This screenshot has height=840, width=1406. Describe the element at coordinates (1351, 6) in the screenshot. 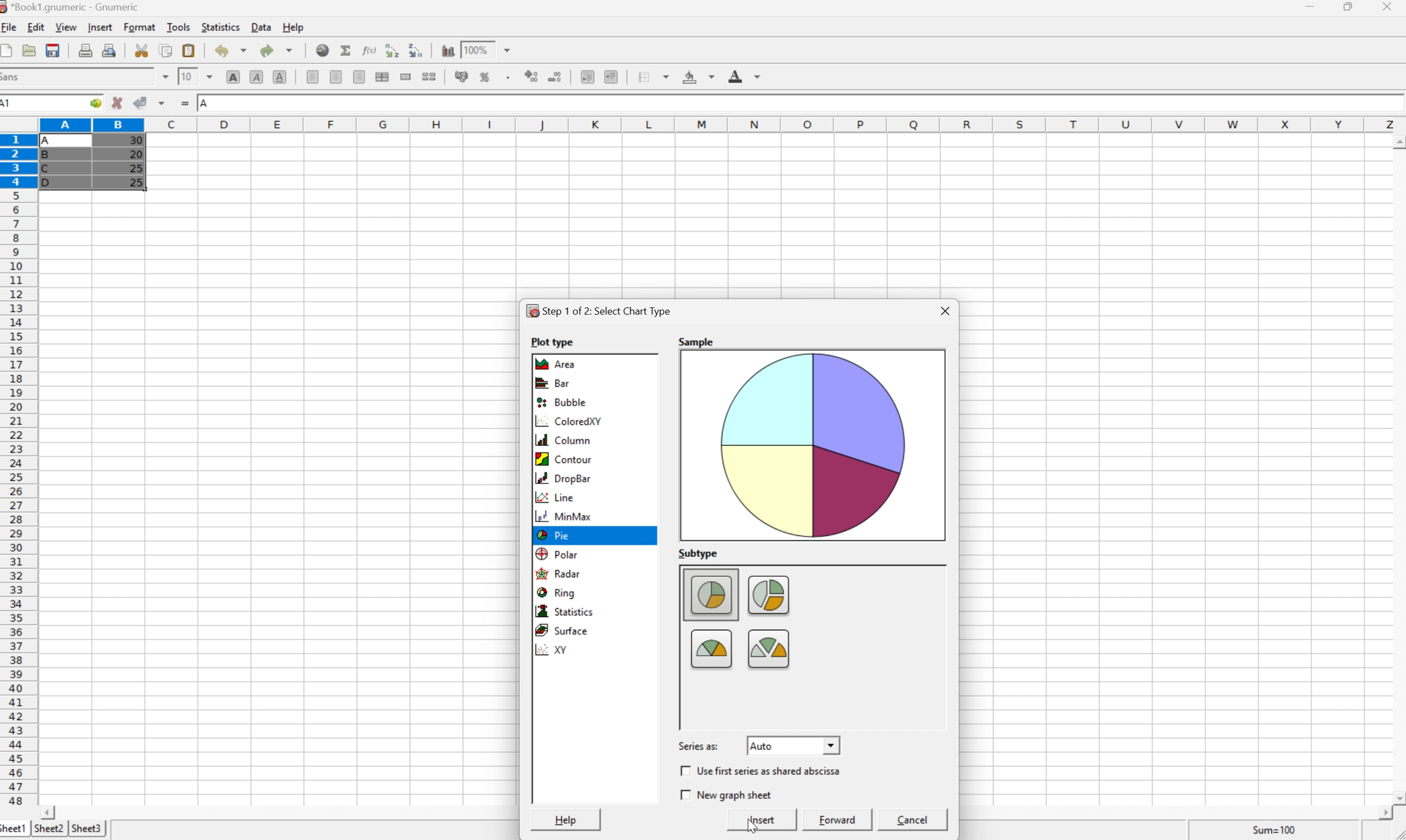

I see `Restore Down` at that location.